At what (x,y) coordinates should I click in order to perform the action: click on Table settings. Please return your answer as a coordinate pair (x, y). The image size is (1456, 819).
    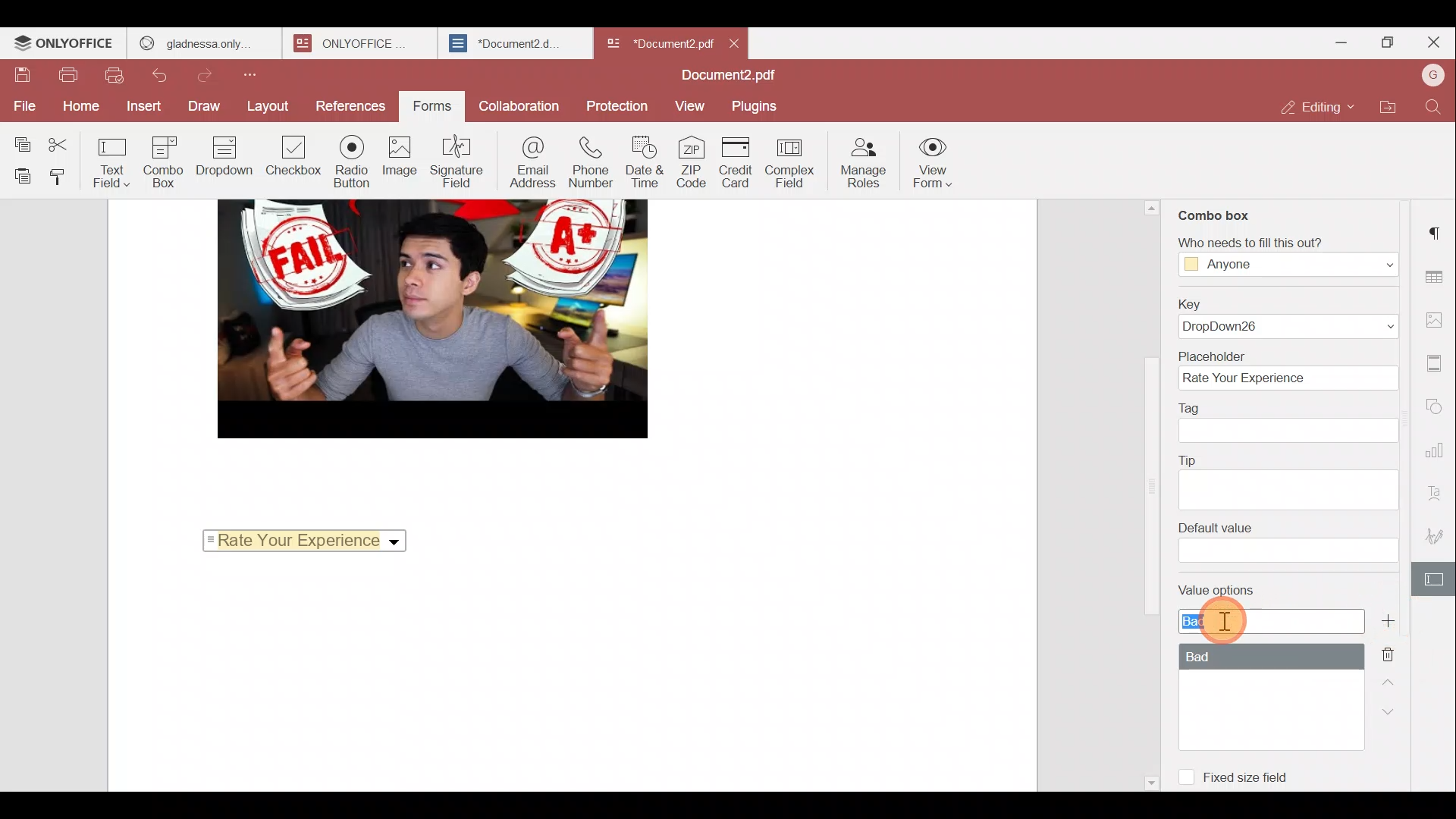
    Looking at the image, I should click on (1439, 277).